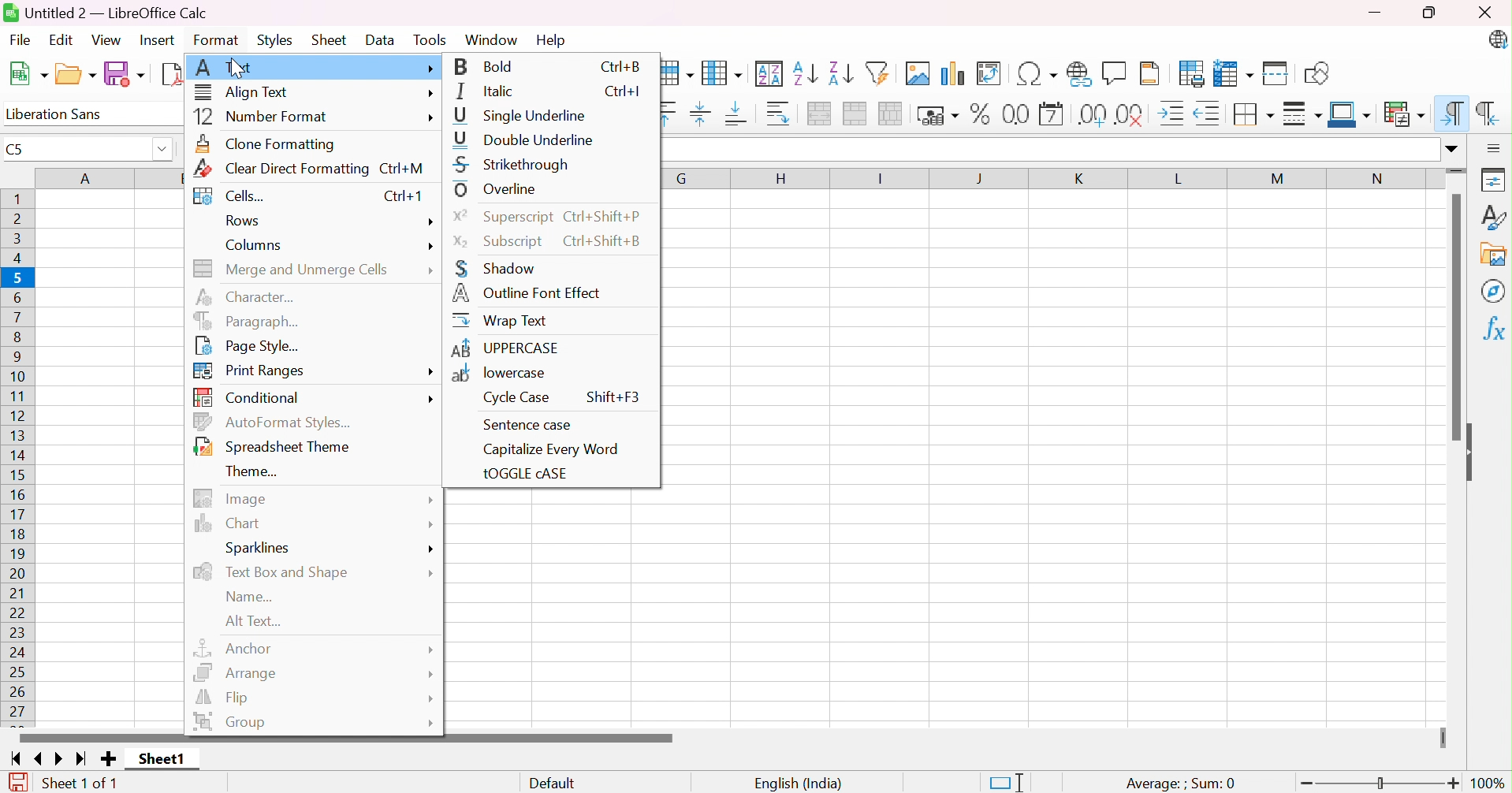  I want to click on Spreadsheet Theme, so click(275, 446).